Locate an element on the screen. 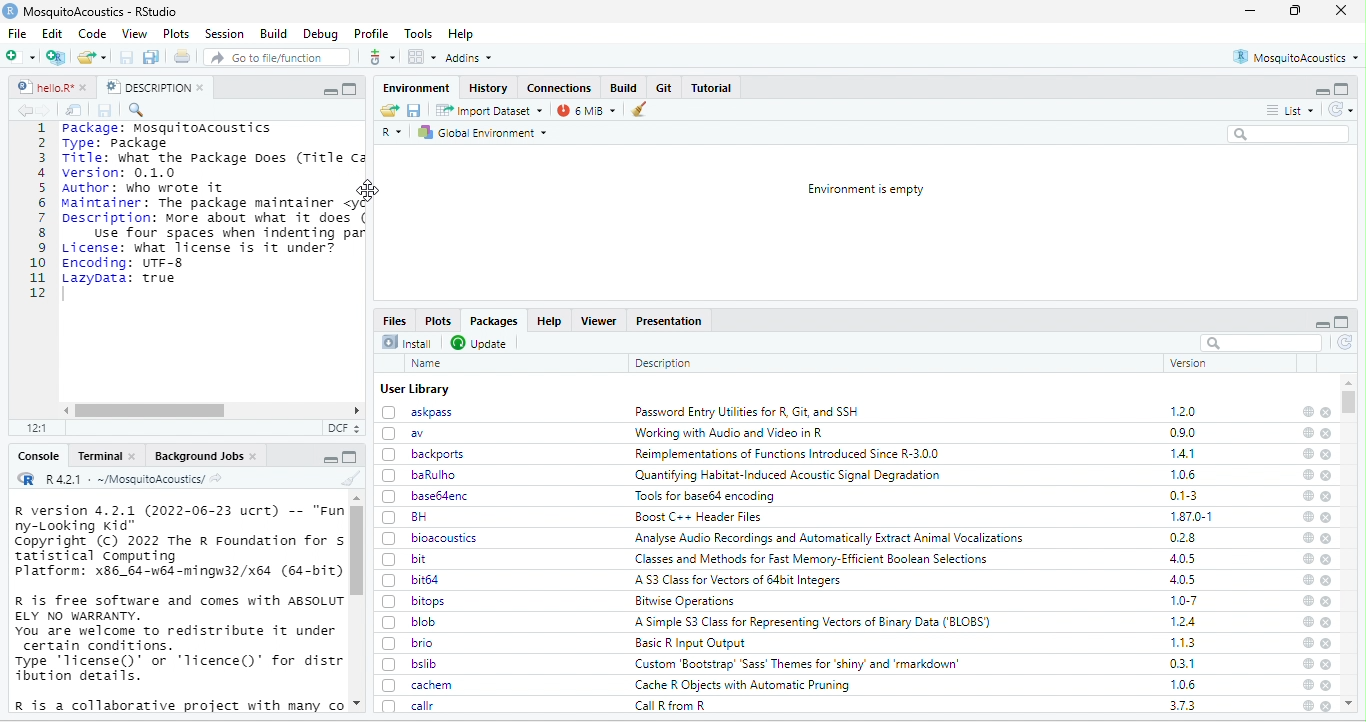 Image resolution: width=1366 pixels, height=722 pixels. 1.2.4 is located at coordinates (1182, 621).